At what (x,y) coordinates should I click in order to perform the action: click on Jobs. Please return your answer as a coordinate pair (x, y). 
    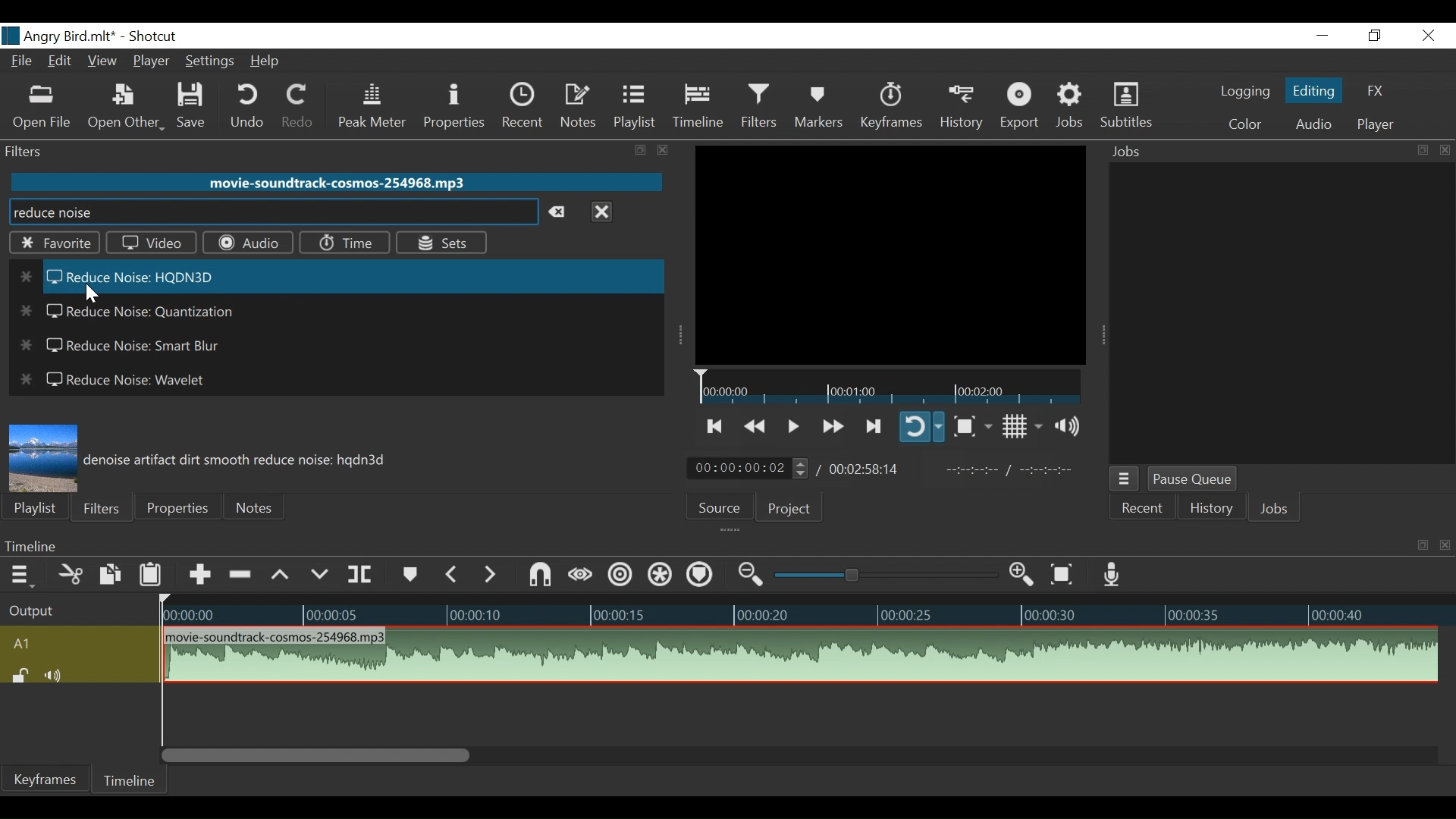
    Looking at the image, I should click on (1254, 152).